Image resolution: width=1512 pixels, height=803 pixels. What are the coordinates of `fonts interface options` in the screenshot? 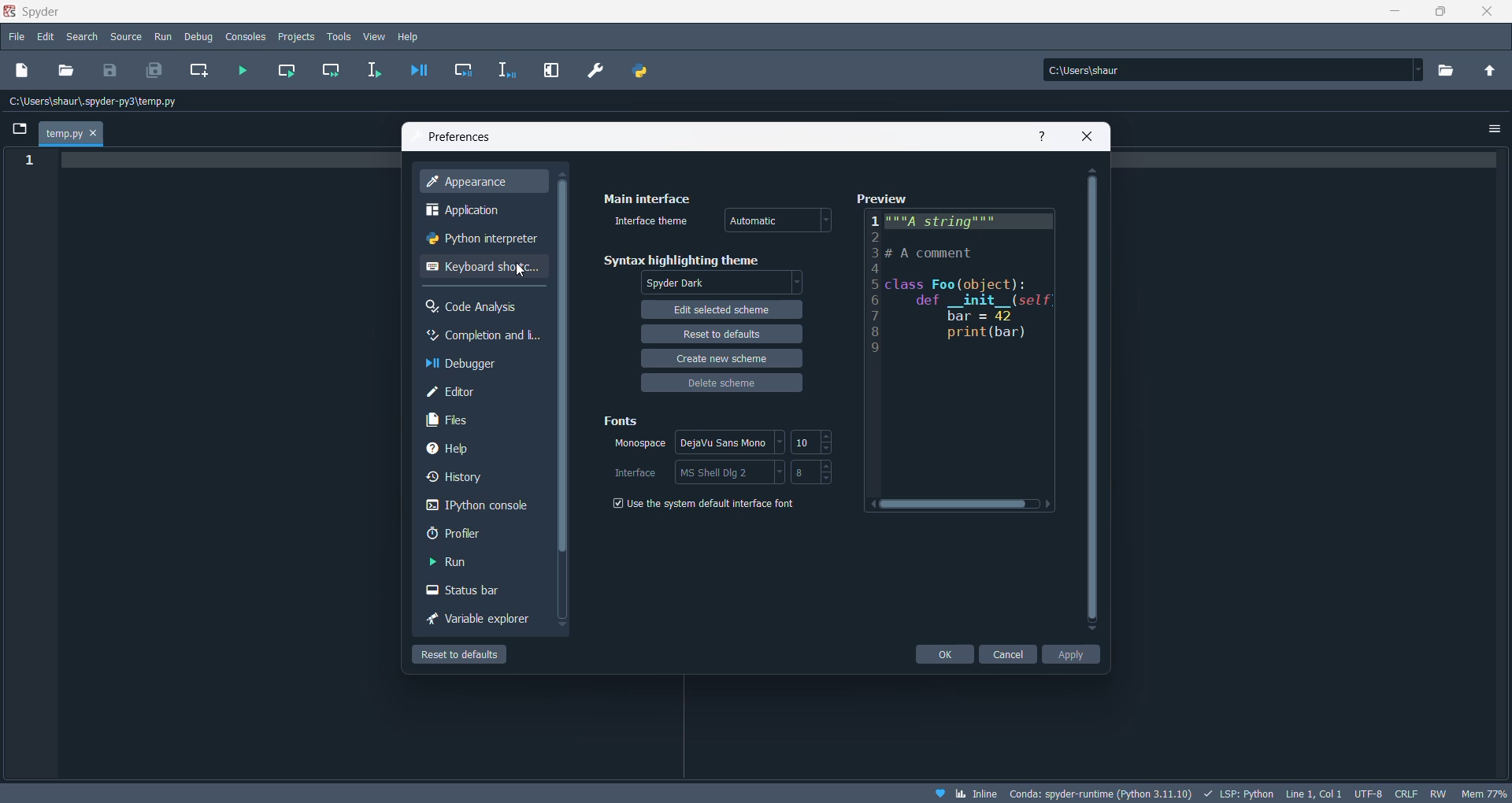 It's located at (731, 472).